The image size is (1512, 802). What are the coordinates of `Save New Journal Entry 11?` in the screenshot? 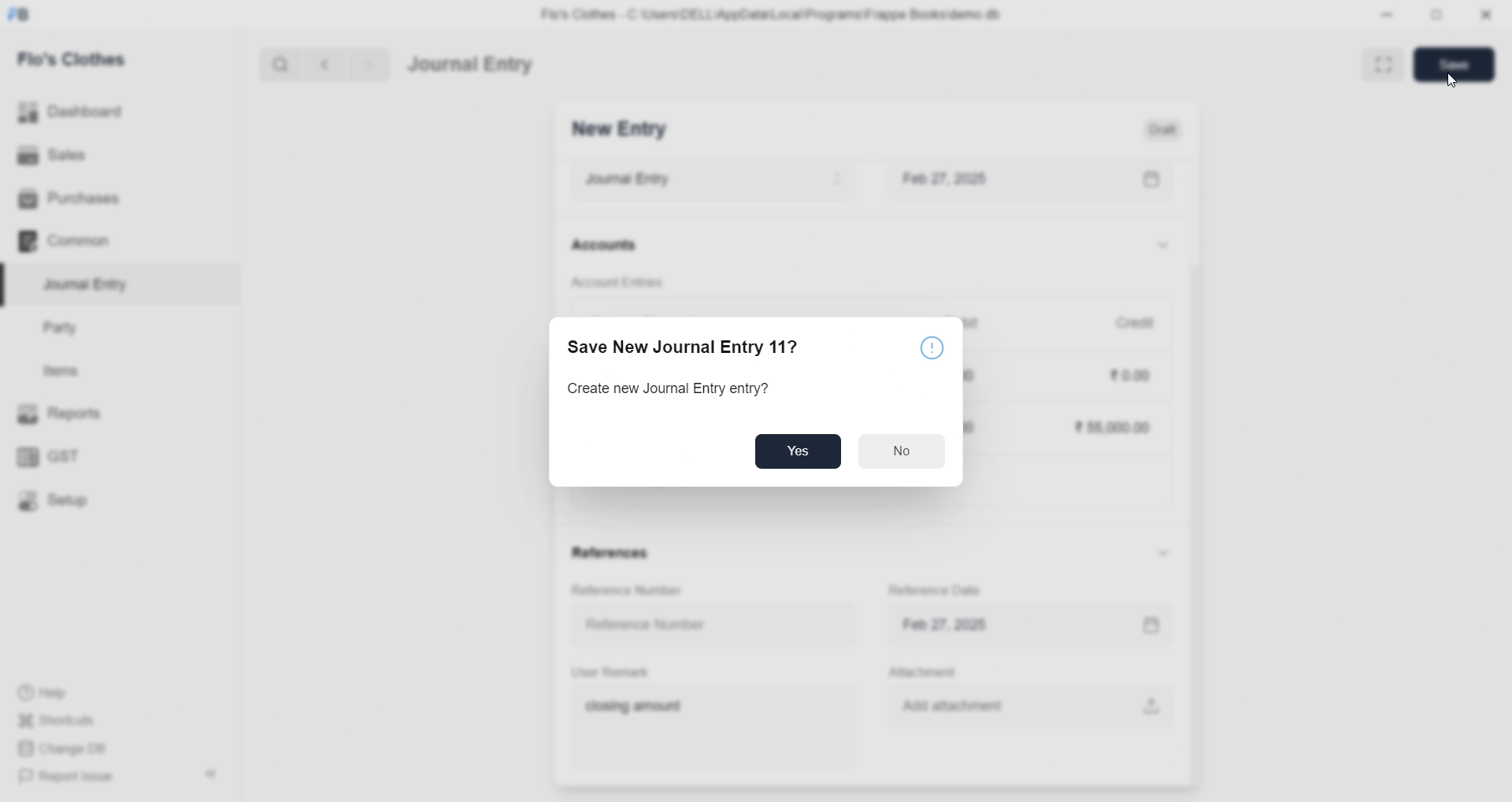 It's located at (684, 347).